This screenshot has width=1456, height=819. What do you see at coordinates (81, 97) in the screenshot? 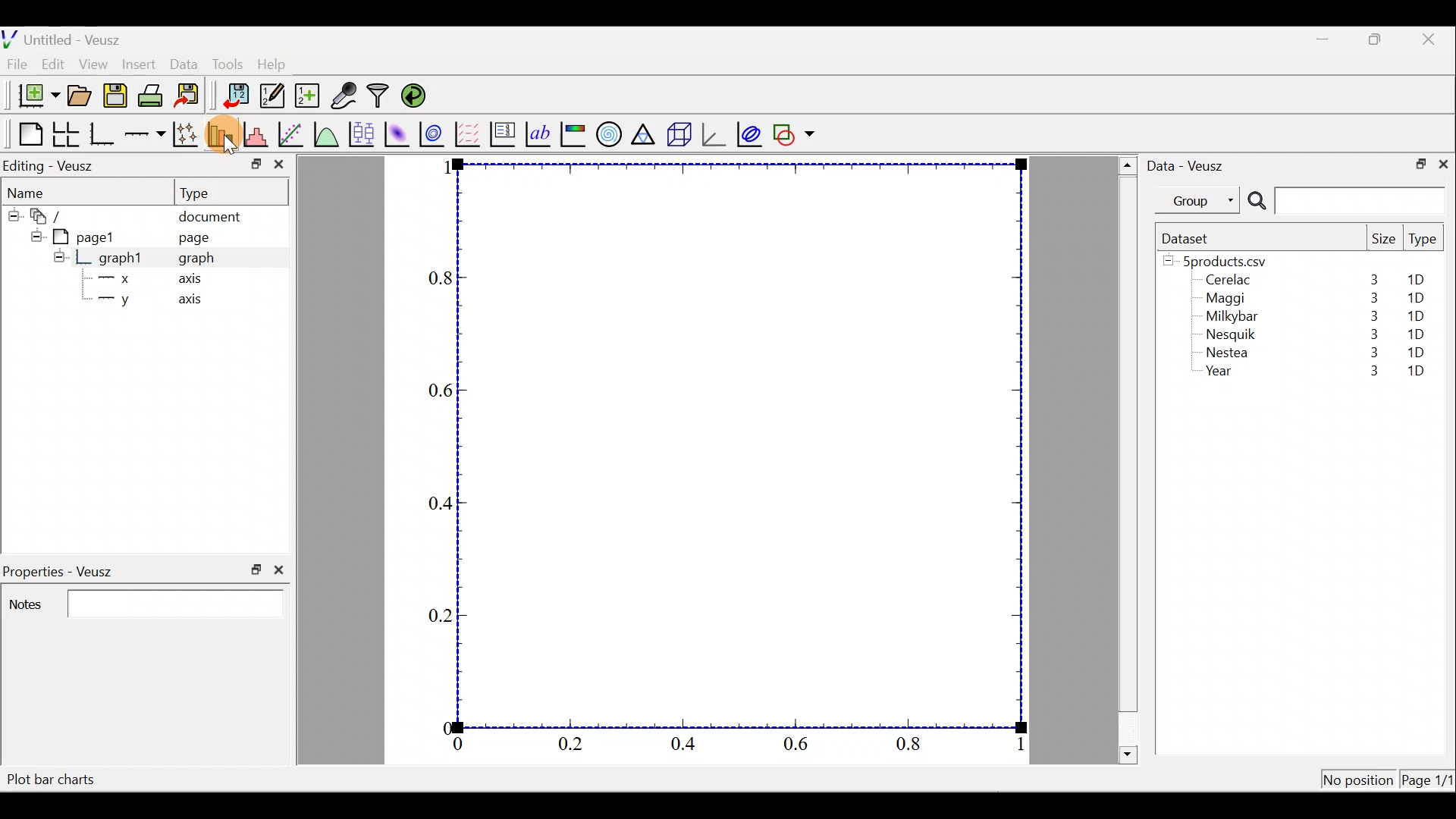
I see `Open a document` at bounding box center [81, 97].